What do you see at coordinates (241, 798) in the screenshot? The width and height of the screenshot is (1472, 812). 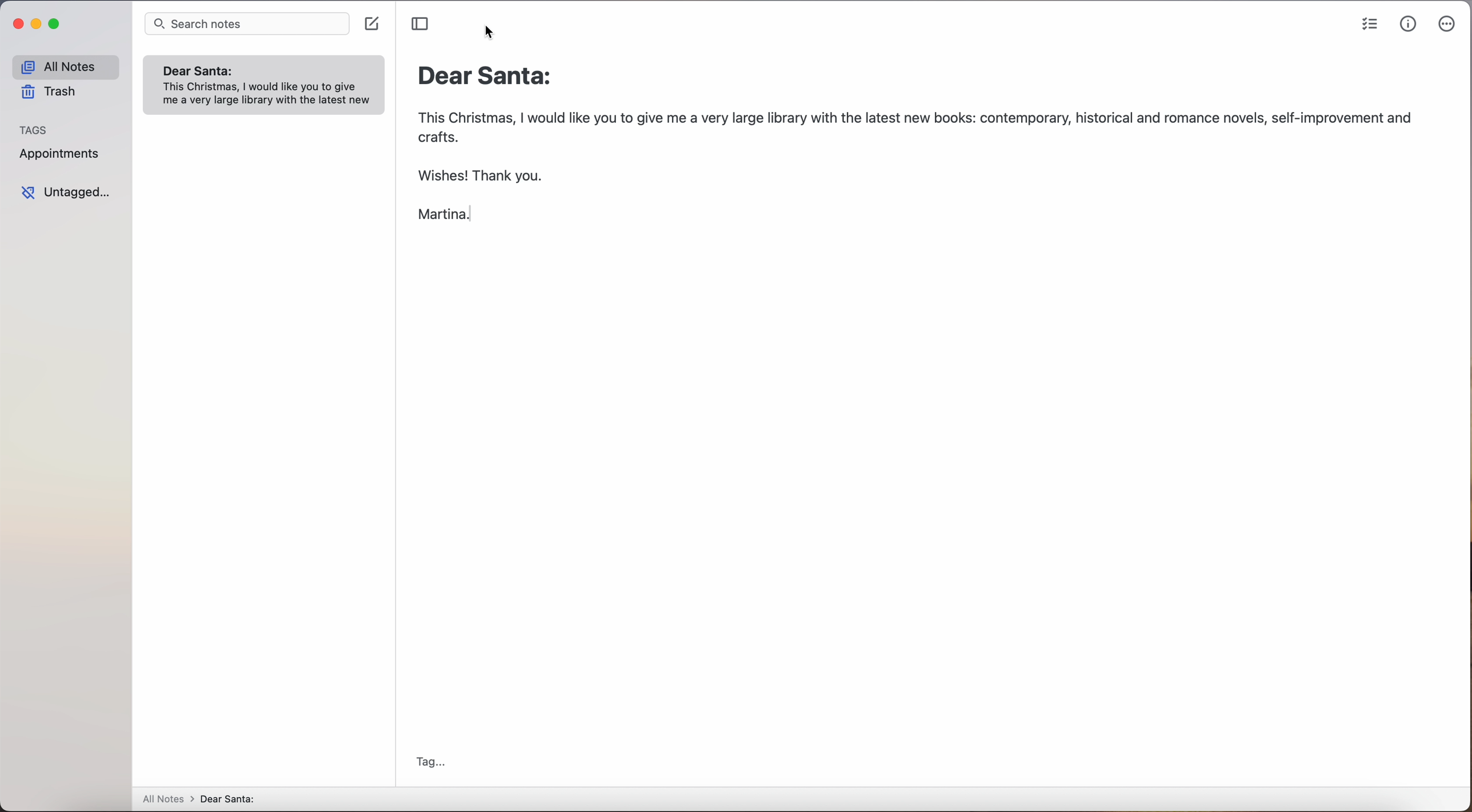 I see `dear santa` at bounding box center [241, 798].